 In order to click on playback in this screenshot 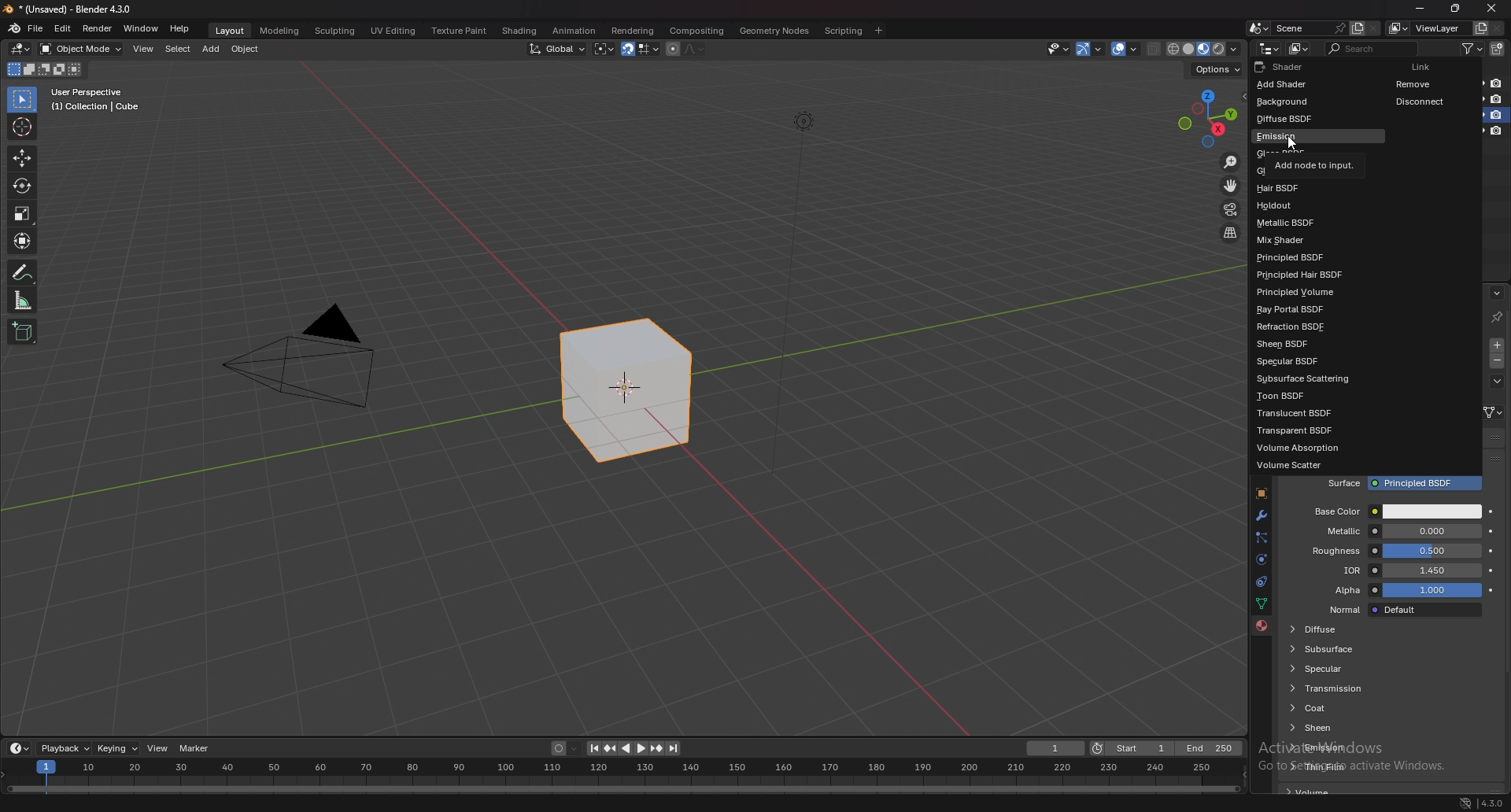, I will do `click(66, 748)`.